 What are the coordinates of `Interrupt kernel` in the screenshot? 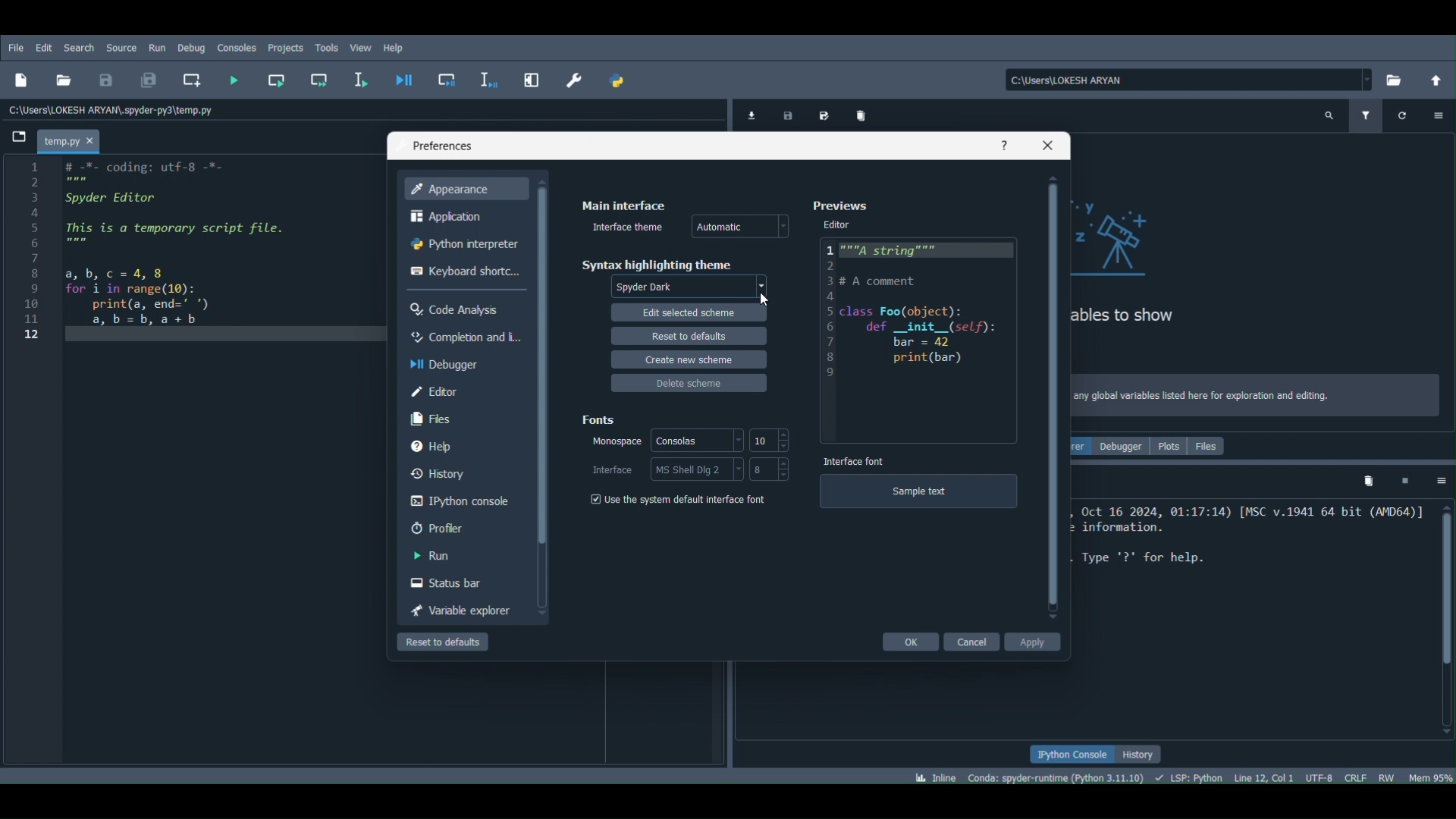 It's located at (1407, 482).